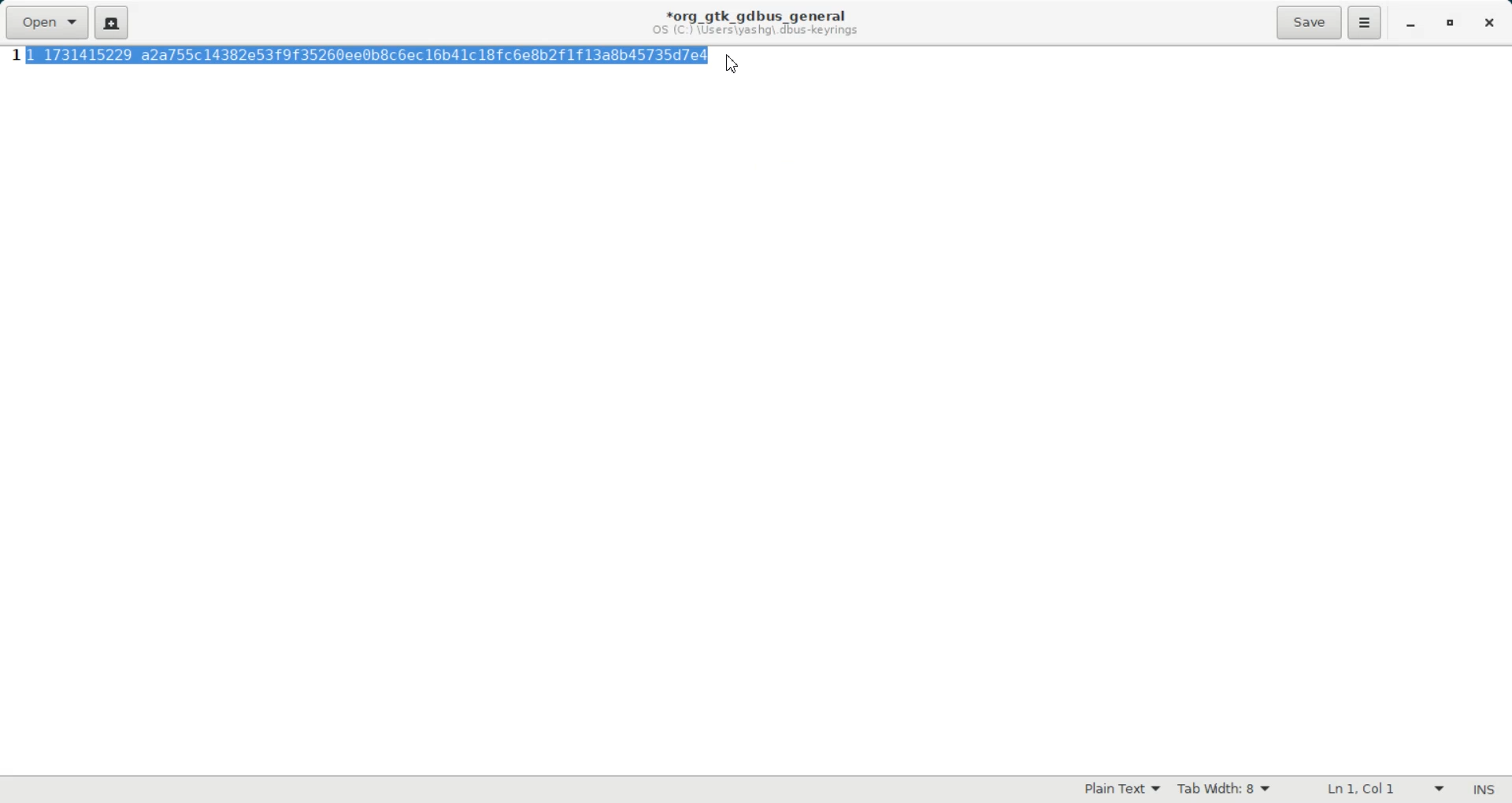  Describe the element at coordinates (1368, 790) in the screenshot. I see `Text Wrapping` at that location.